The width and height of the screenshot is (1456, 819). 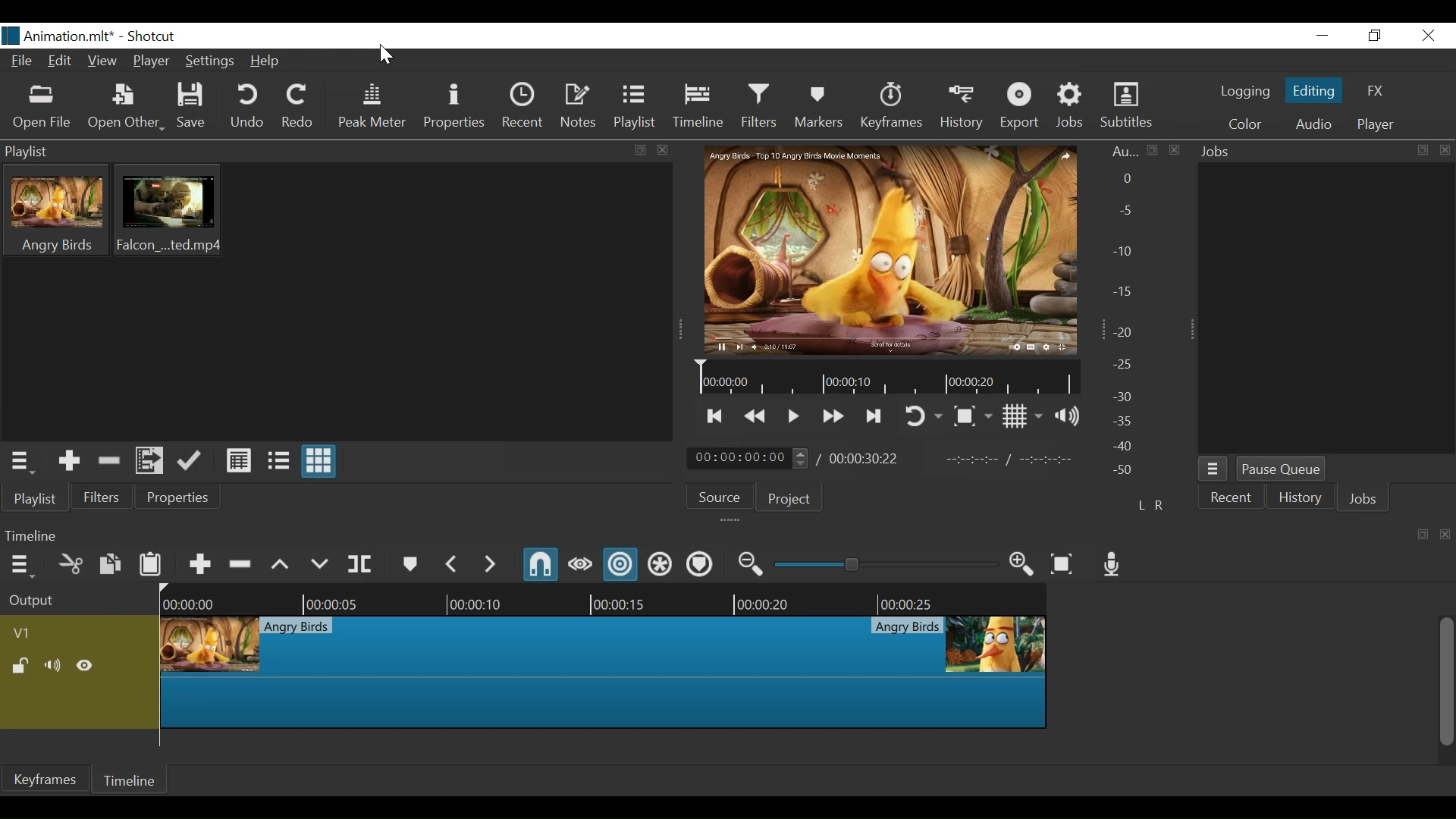 What do you see at coordinates (603, 672) in the screenshot?
I see `Clip` at bounding box center [603, 672].